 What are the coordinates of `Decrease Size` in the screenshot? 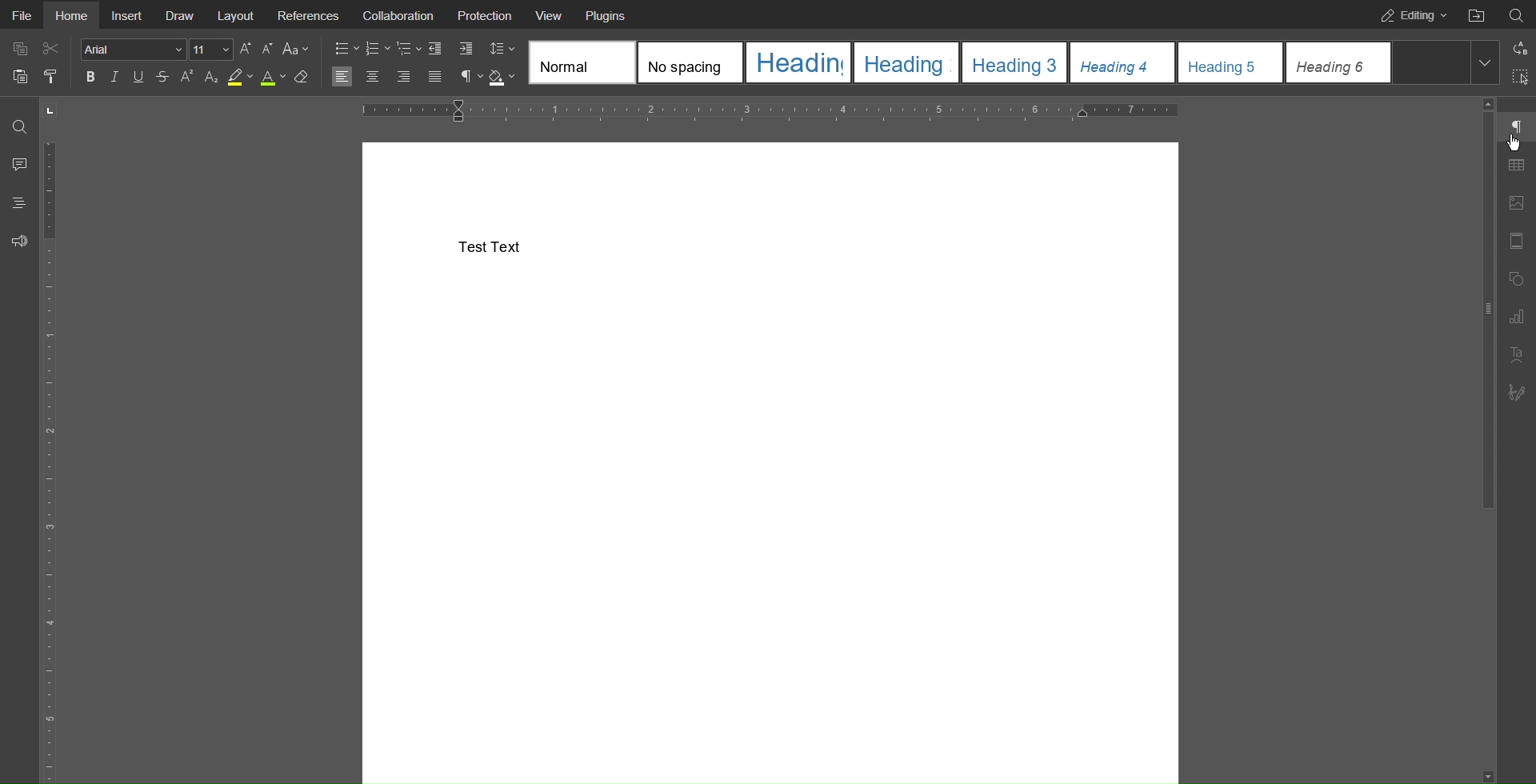 It's located at (267, 49).